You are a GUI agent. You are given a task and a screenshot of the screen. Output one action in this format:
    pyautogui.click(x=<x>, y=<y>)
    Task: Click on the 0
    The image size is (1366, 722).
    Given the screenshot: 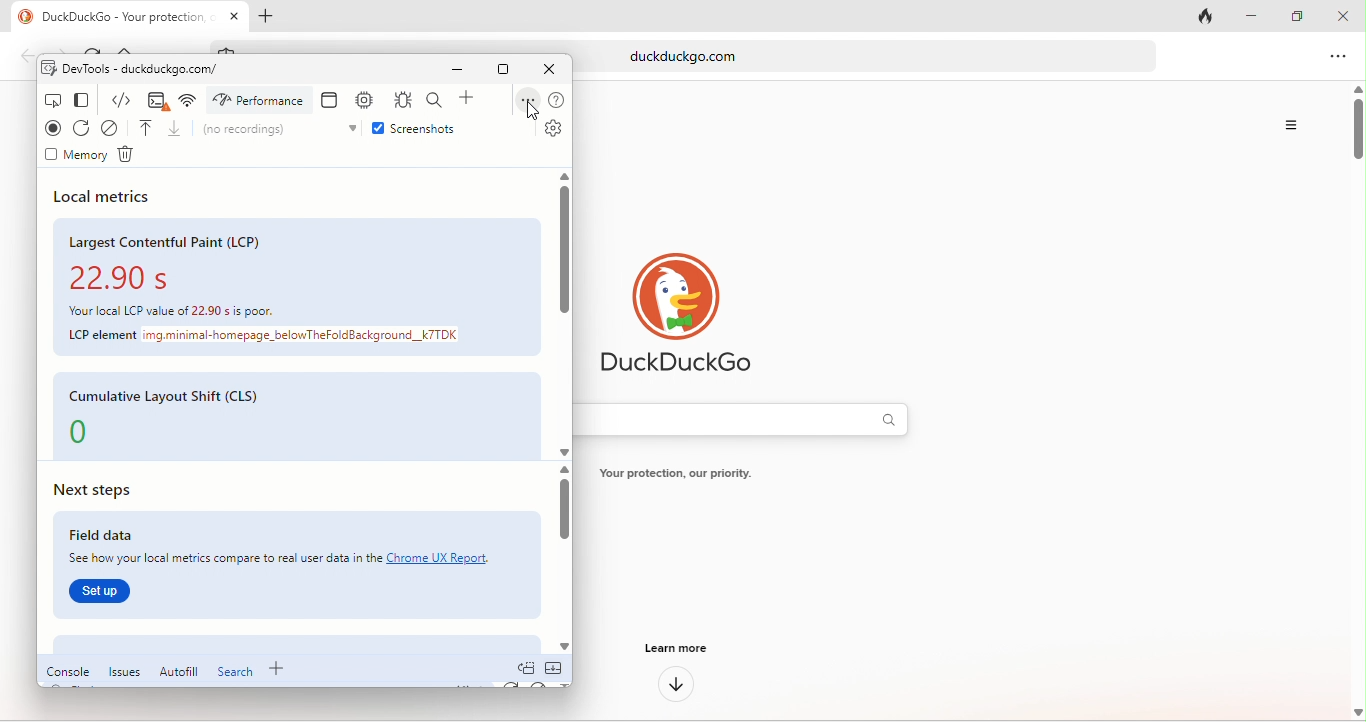 What is the action you would take?
    pyautogui.click(x=92, y=434)
    